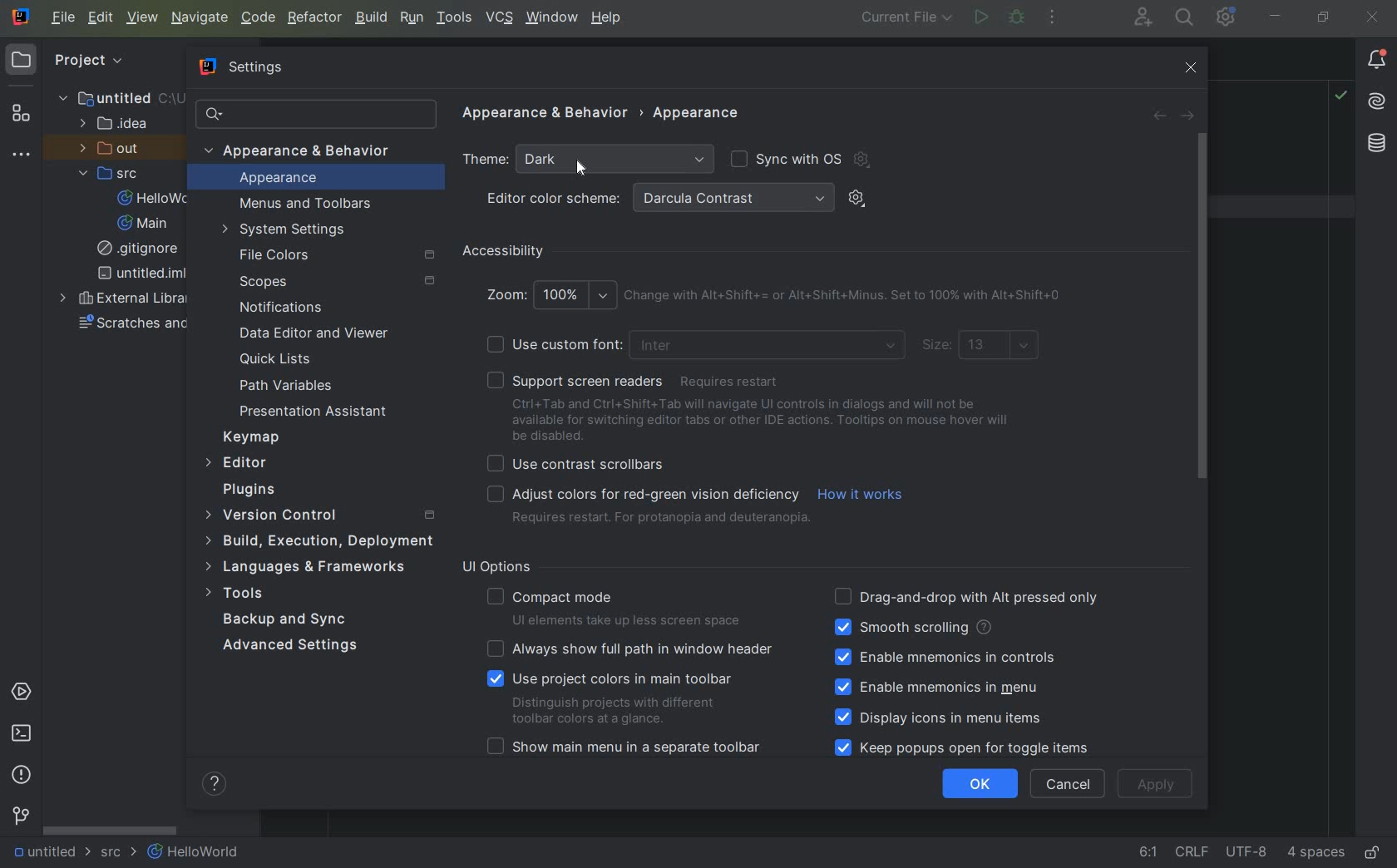  What do you see at coordinates (1148, 853) in the screenshot?
I see `go to line 6:1` at bounding box center [1148, 853].